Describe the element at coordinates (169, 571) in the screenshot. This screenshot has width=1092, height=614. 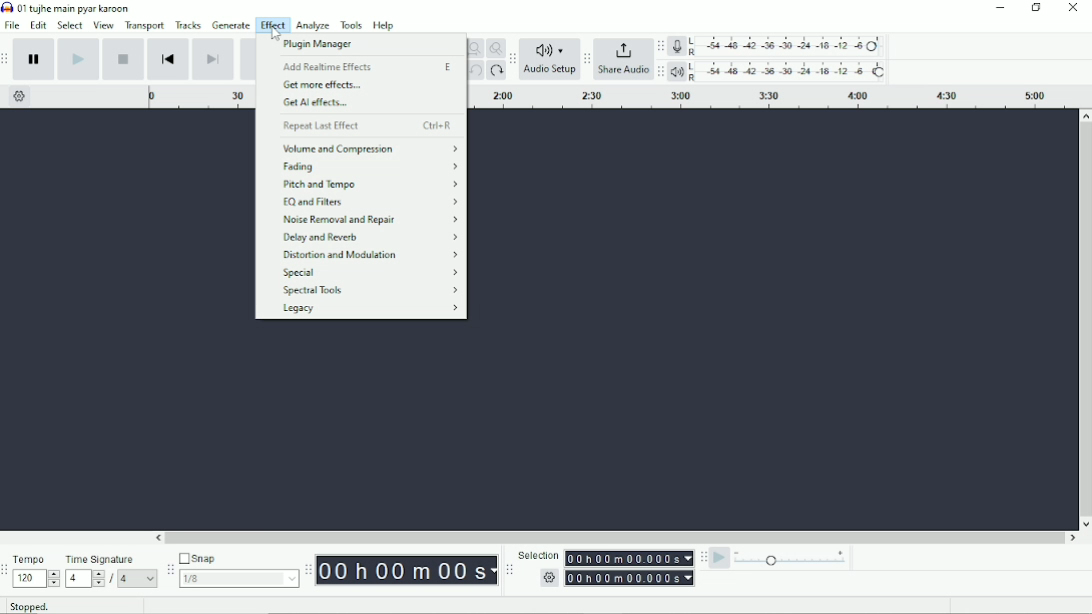
I see `Audacity snapping toolbar` at that location.